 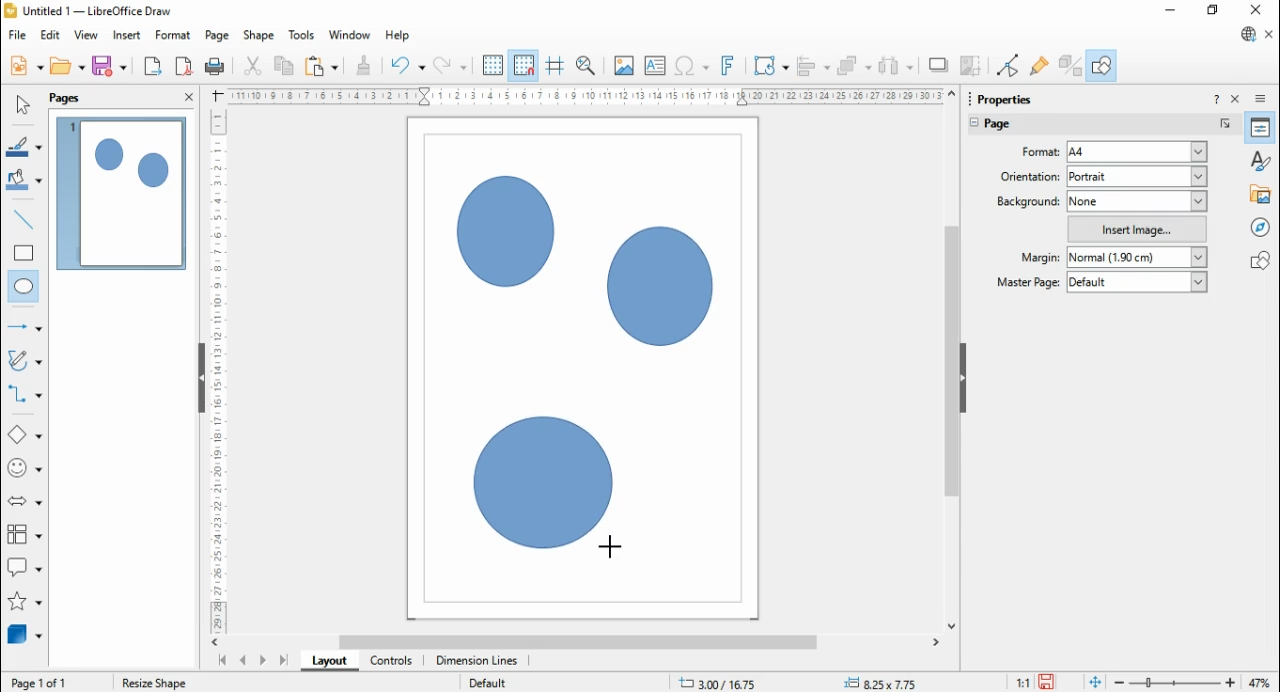 I want to click on toggle point edit mode, so click(x=1010, y=65).